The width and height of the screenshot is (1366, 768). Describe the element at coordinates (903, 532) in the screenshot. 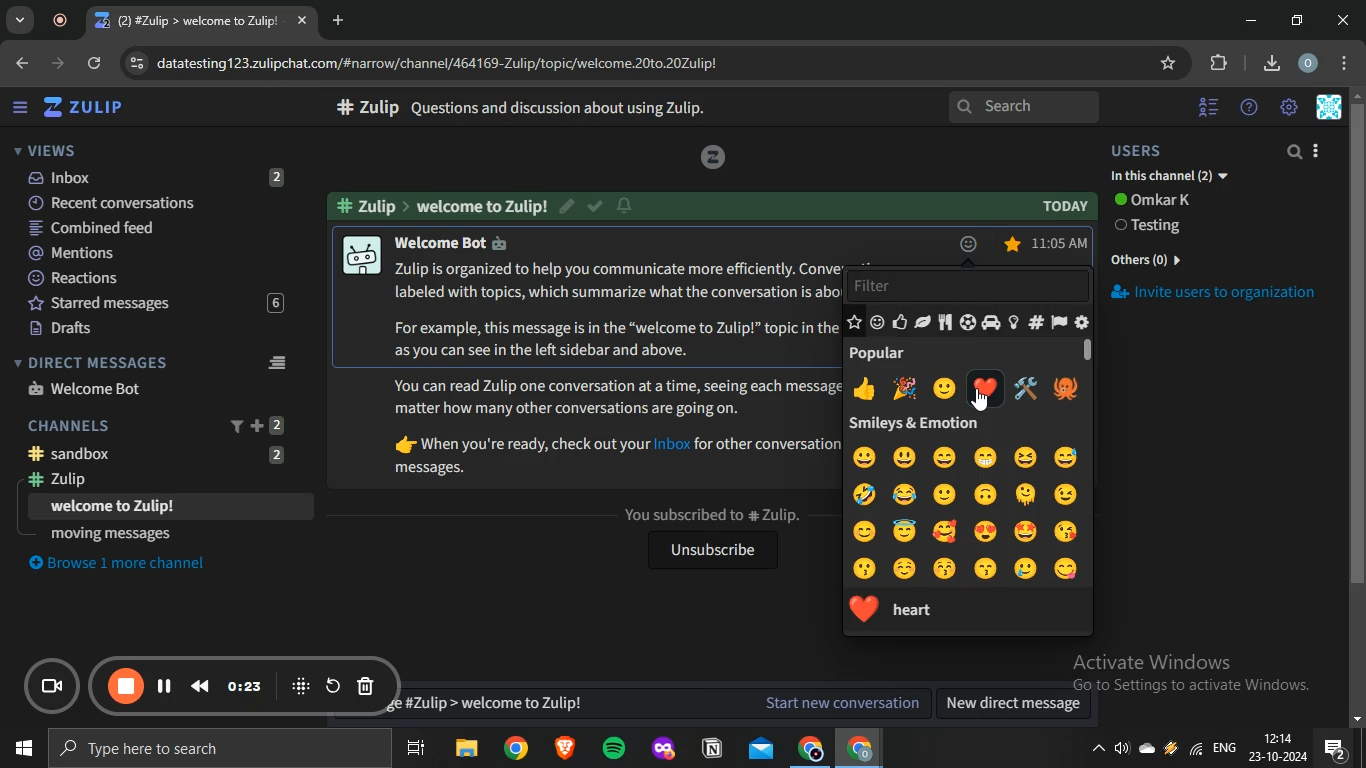

I see `innocent ` at that location.